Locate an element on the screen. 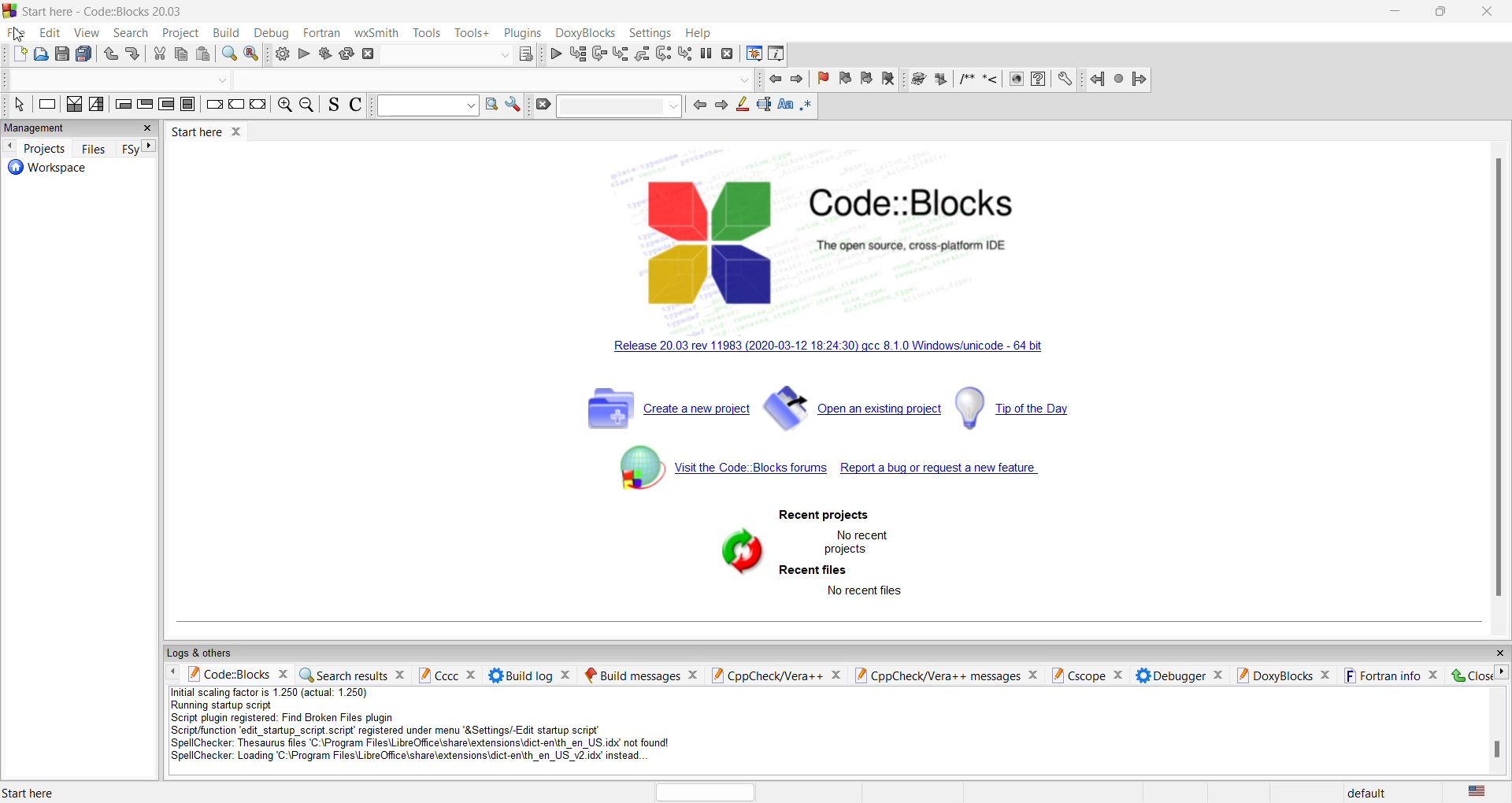 The height and width of the screenshot is (803, 1512). next bookmark is located at coordinates (870, 80).